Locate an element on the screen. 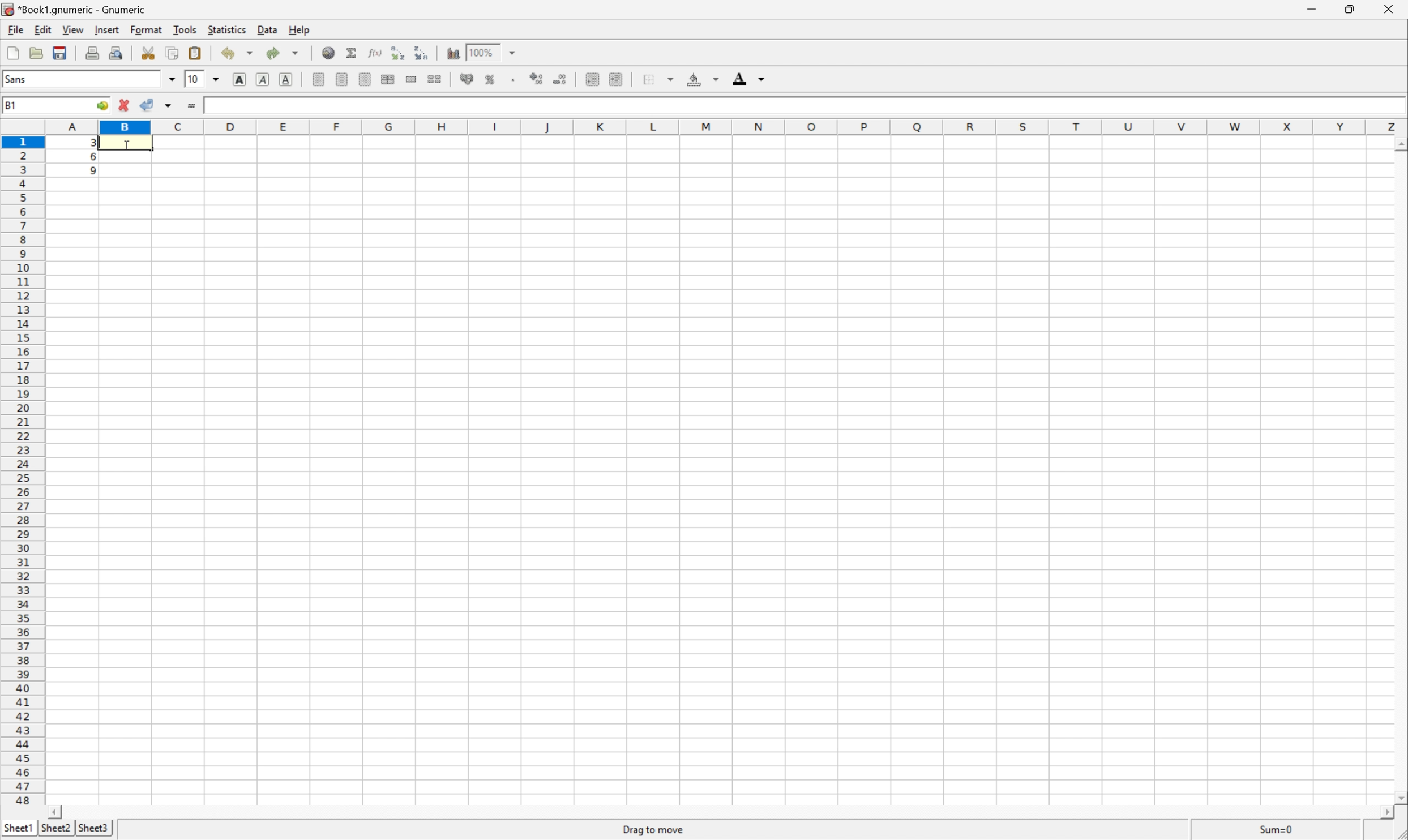  Undo is located at coordinates (238, 52).